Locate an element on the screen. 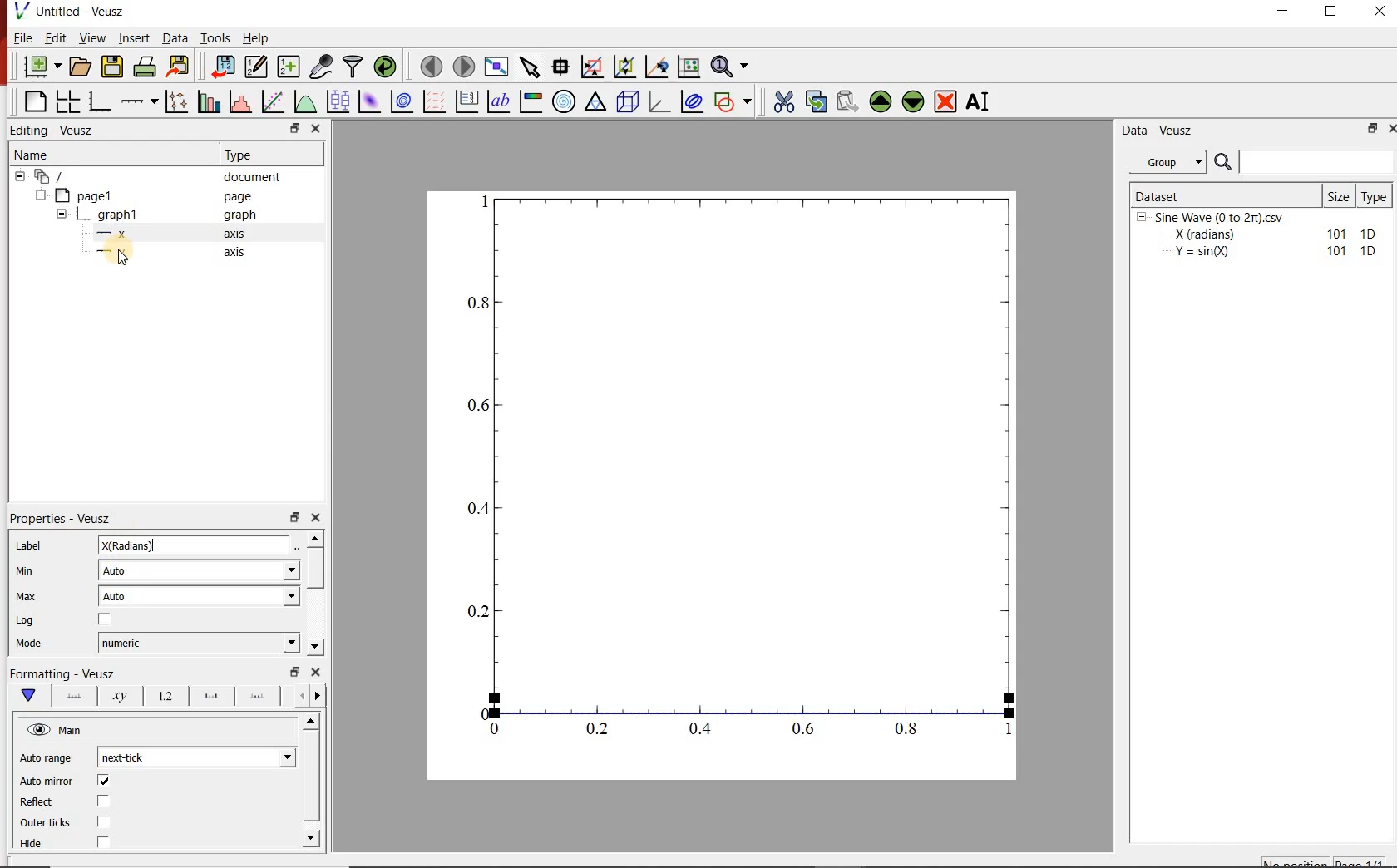  plot 2d dataset as image is located at coordinates (370, 101).